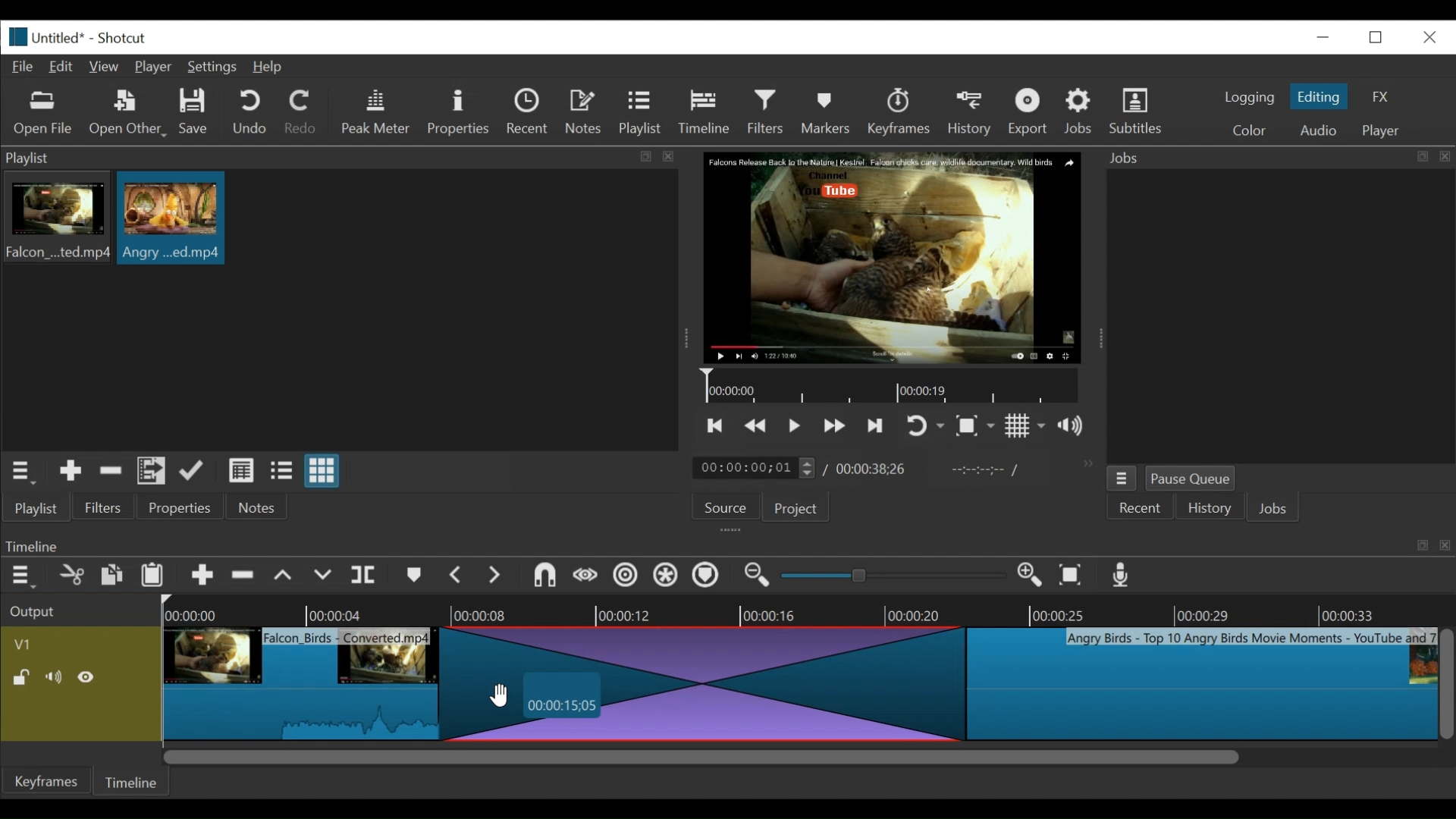  Describe the element at coordinates (756, 426) in the screenshot. I see `play quickly backward` at that location.